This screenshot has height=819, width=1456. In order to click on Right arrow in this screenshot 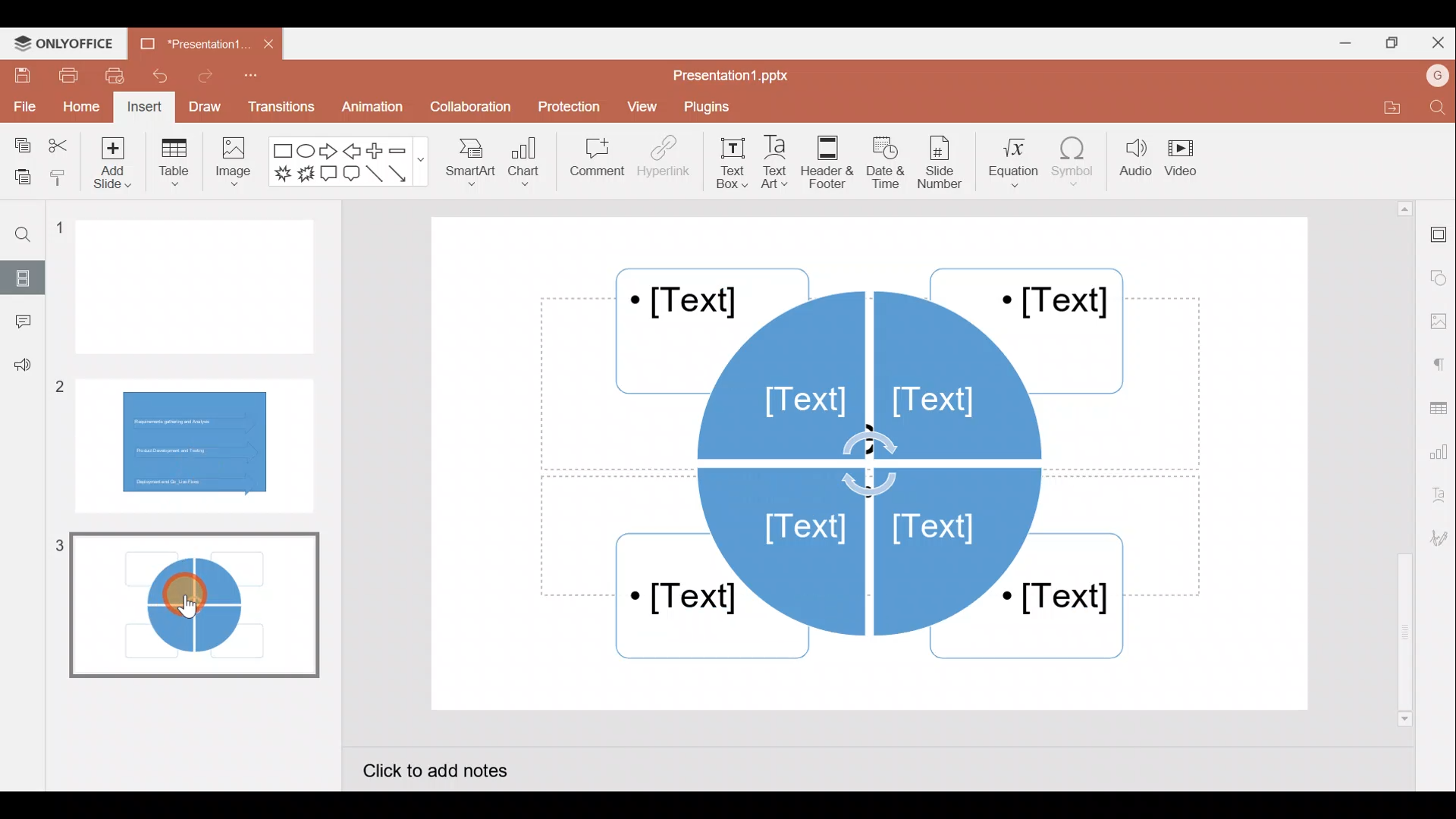, I will do `click(329, 152)`.